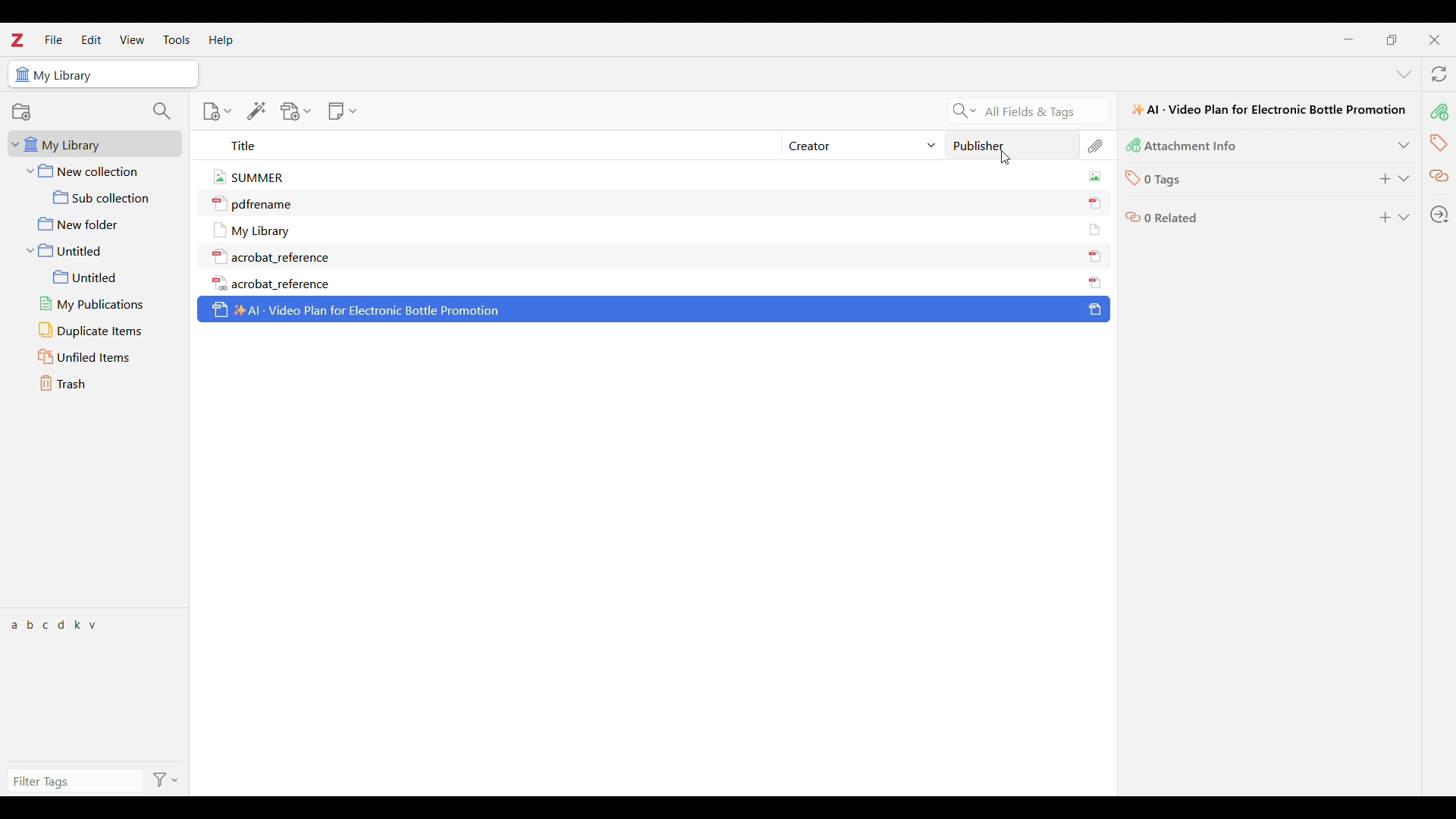 This screenshot has height=819, width=1456. Describe the element at coordinates (221, 41) in the screenshot. I see `Help menu` at that location.